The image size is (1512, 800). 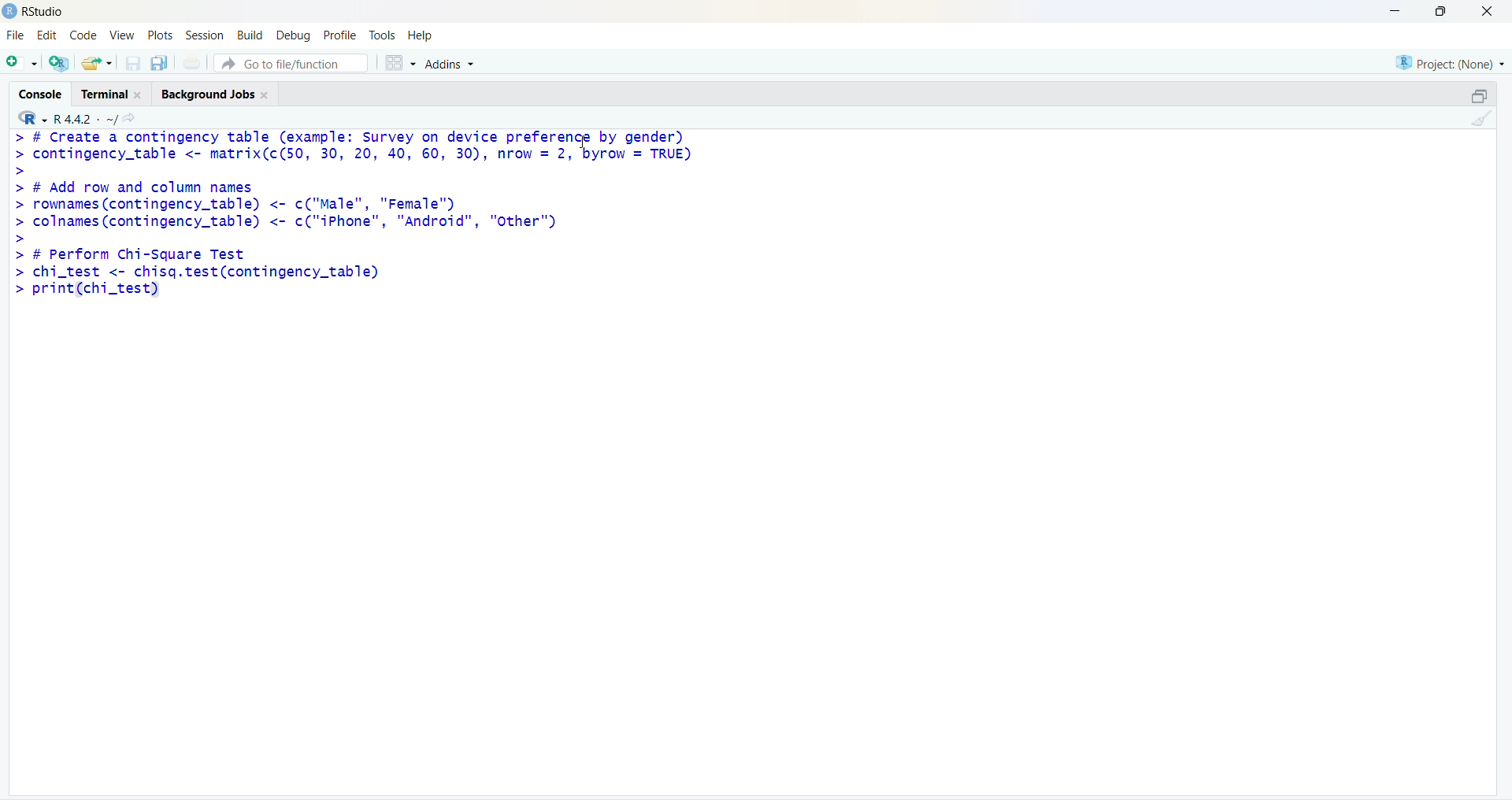 What do you see at coordinates (354, 147) in the screenshot?
I see `> # Create a contingency table (example: Survey on device prefere"t by gender)
> contingency_table <- matrix(c(50, 30, 20, 40, 60, 30), nrow = 2, byrow = TRUE)` at bounding box center [354, 147].